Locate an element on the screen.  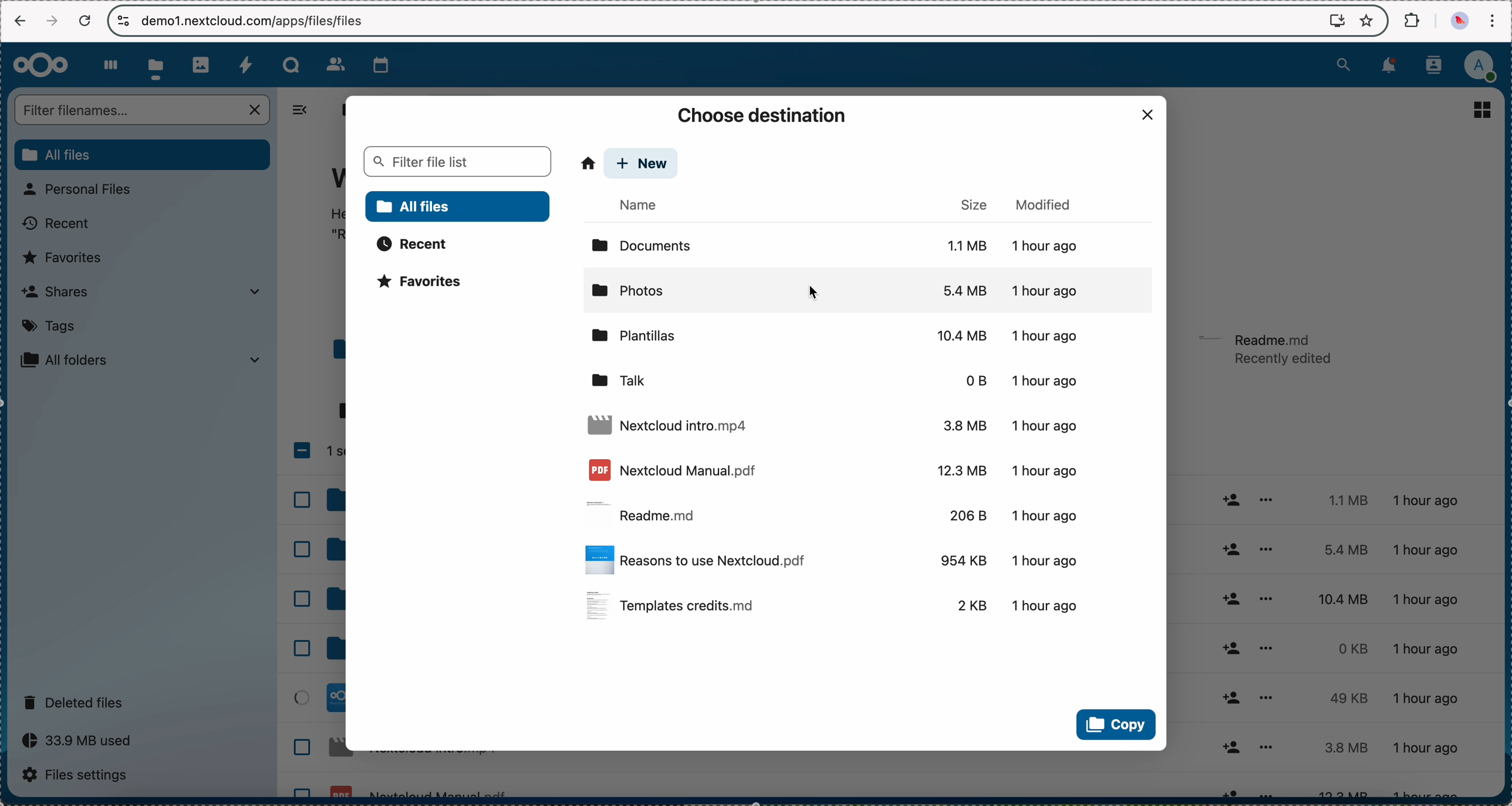
install Nextcloud is located at coordinates (1337, 22).